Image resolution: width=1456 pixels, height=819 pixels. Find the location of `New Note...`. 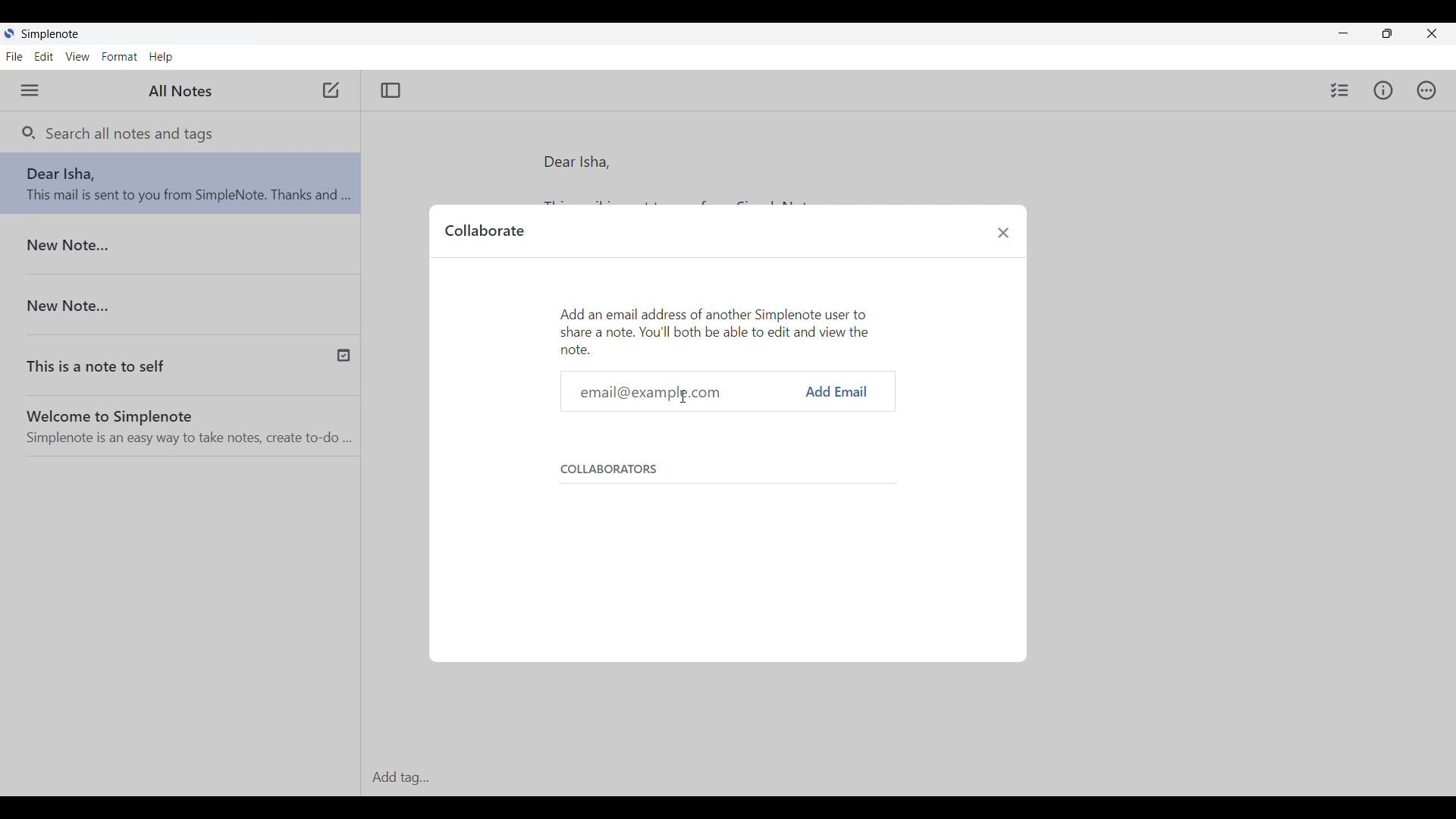

New Note... is located at coordinates (181, 300).